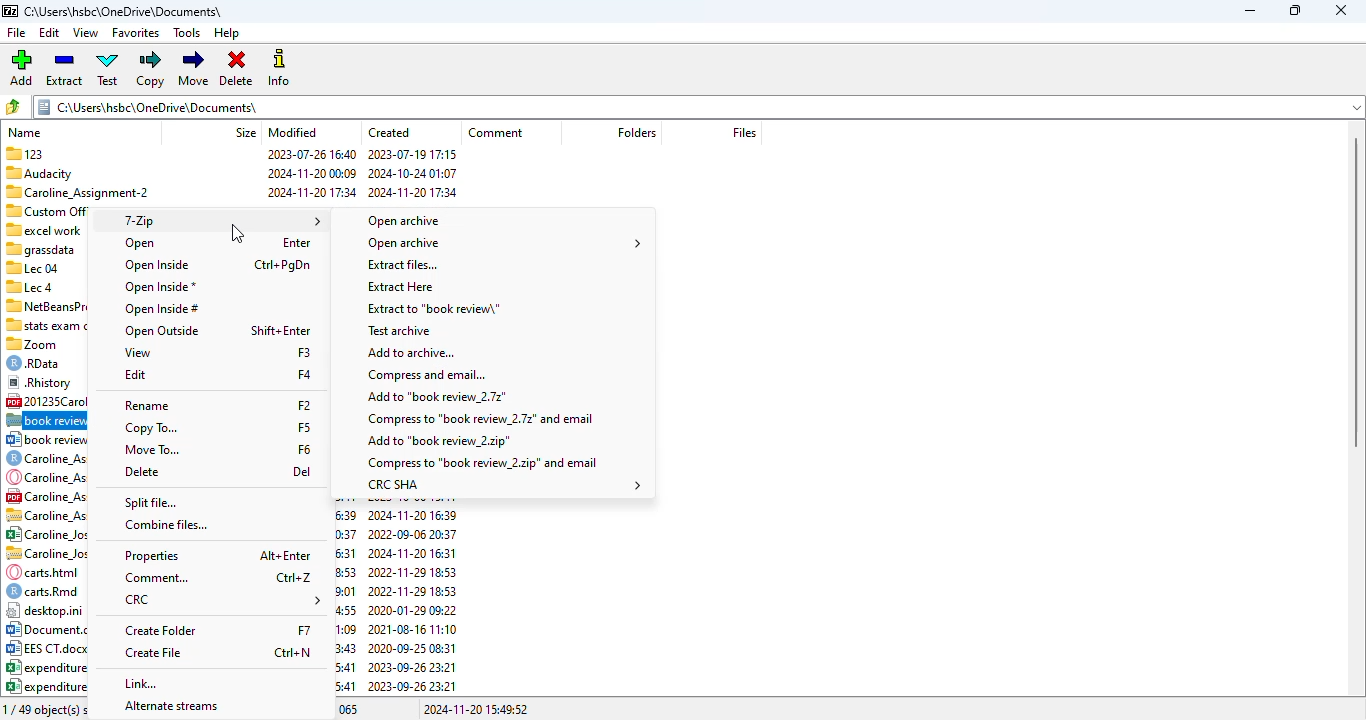 This screenshot has width=1366, height=720. What do you see at coordinates (10, 12) in the screenshot?
I see `logo` at bounding box center [10, 12].